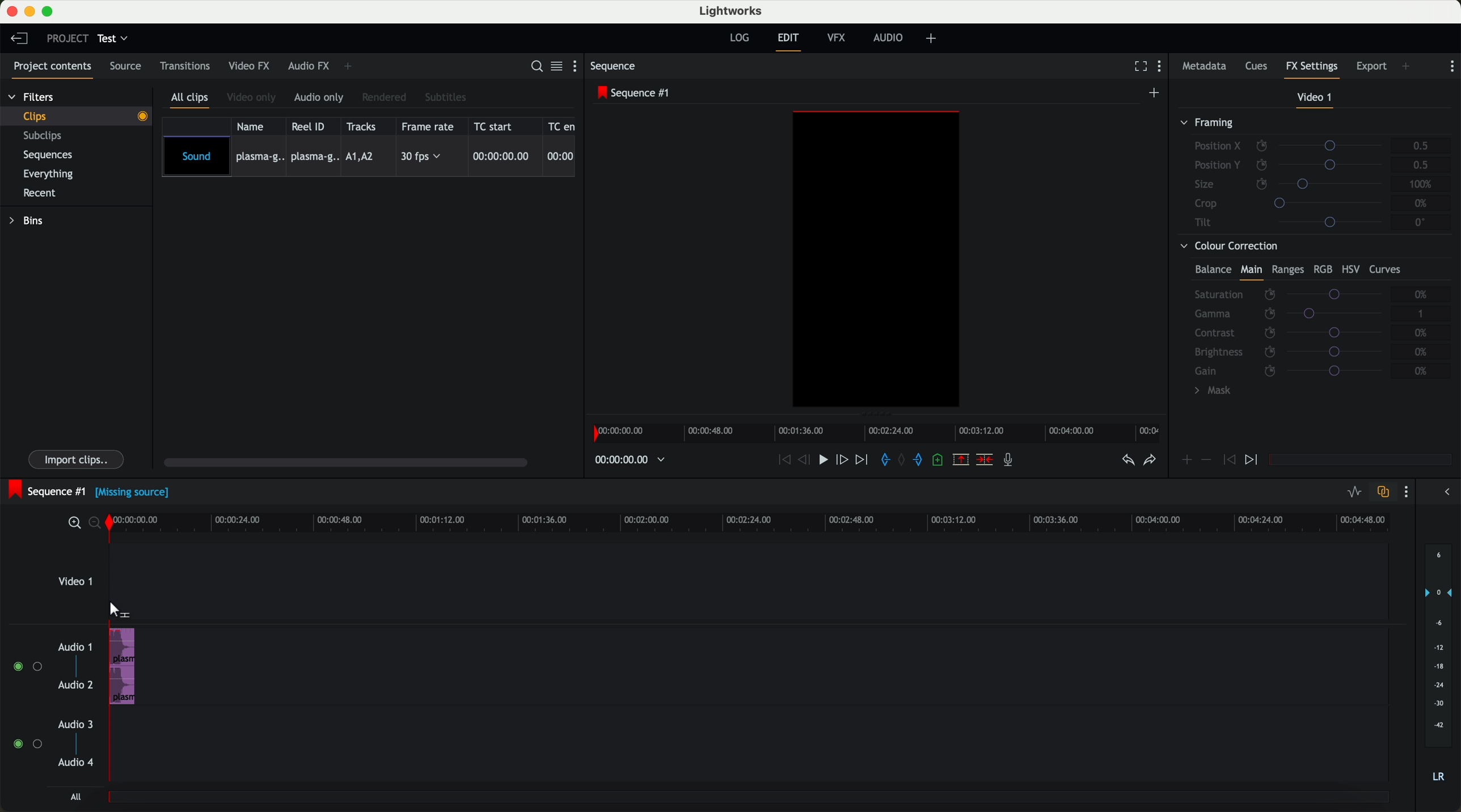  I want to click on source, so click(129, 67).